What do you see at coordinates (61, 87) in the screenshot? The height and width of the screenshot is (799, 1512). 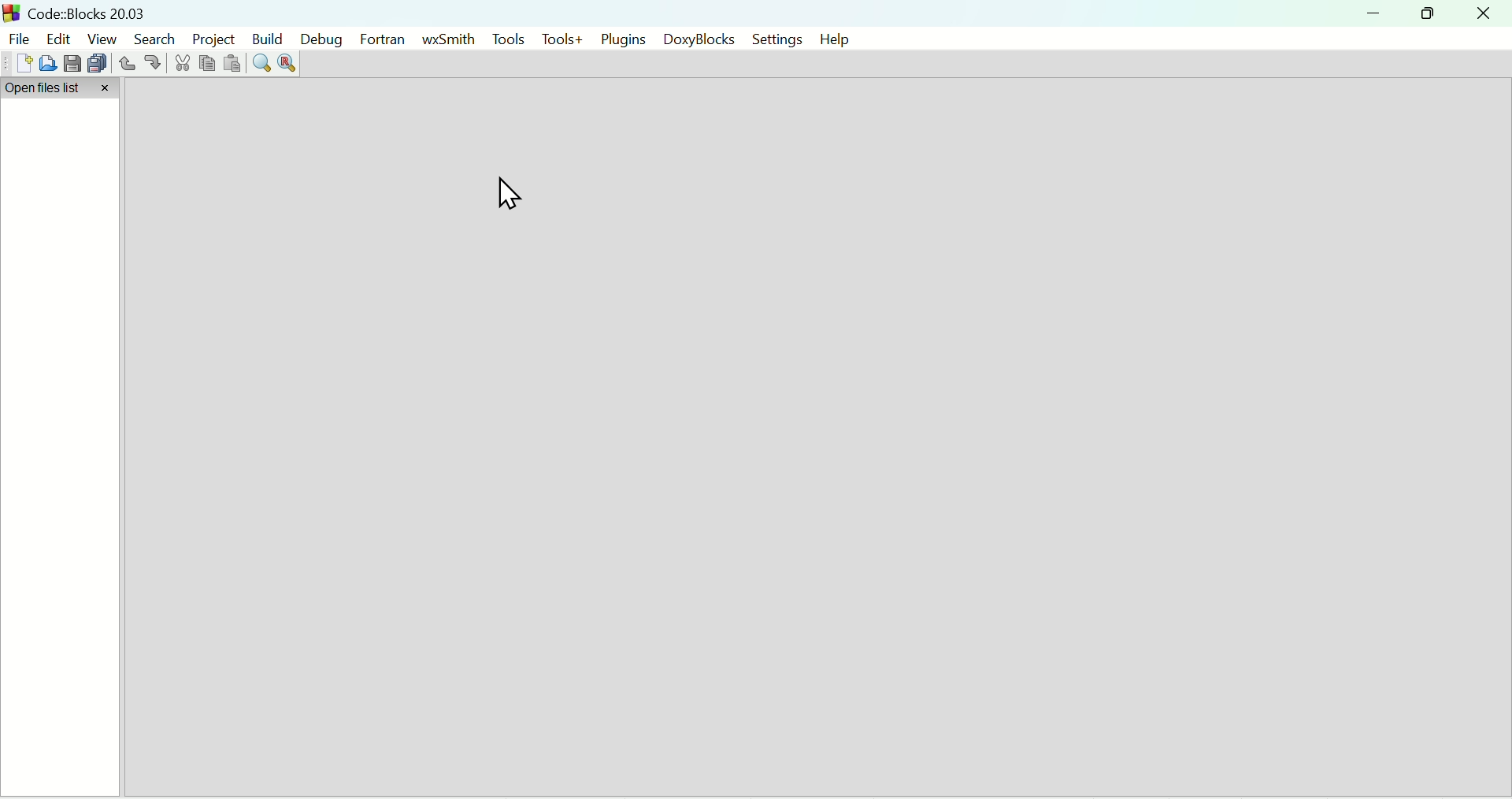 I see `Open files list tab` at bounding box center [61, 87].